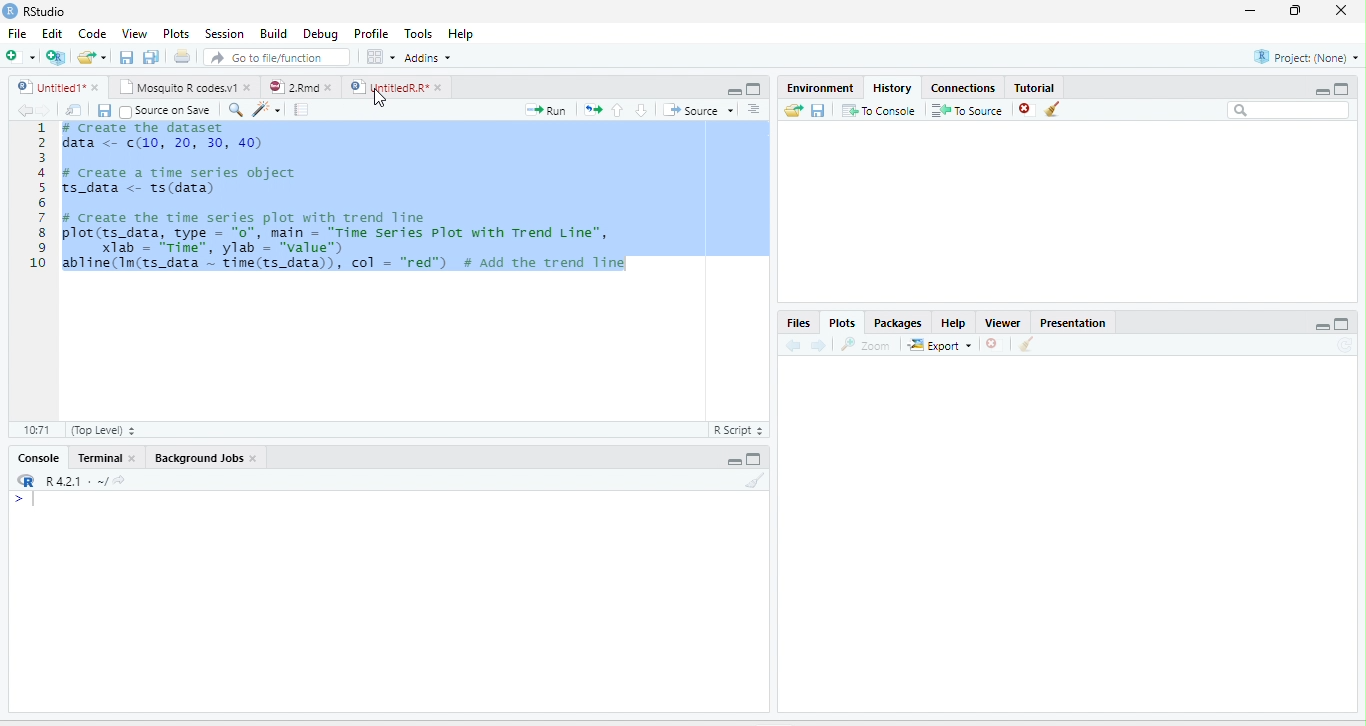 The height and width of the screenshot is (726, 1366). What do you see at coordinates (1341, 11) in the screenshot?
I see `close` at bounding box center [1341, 11].